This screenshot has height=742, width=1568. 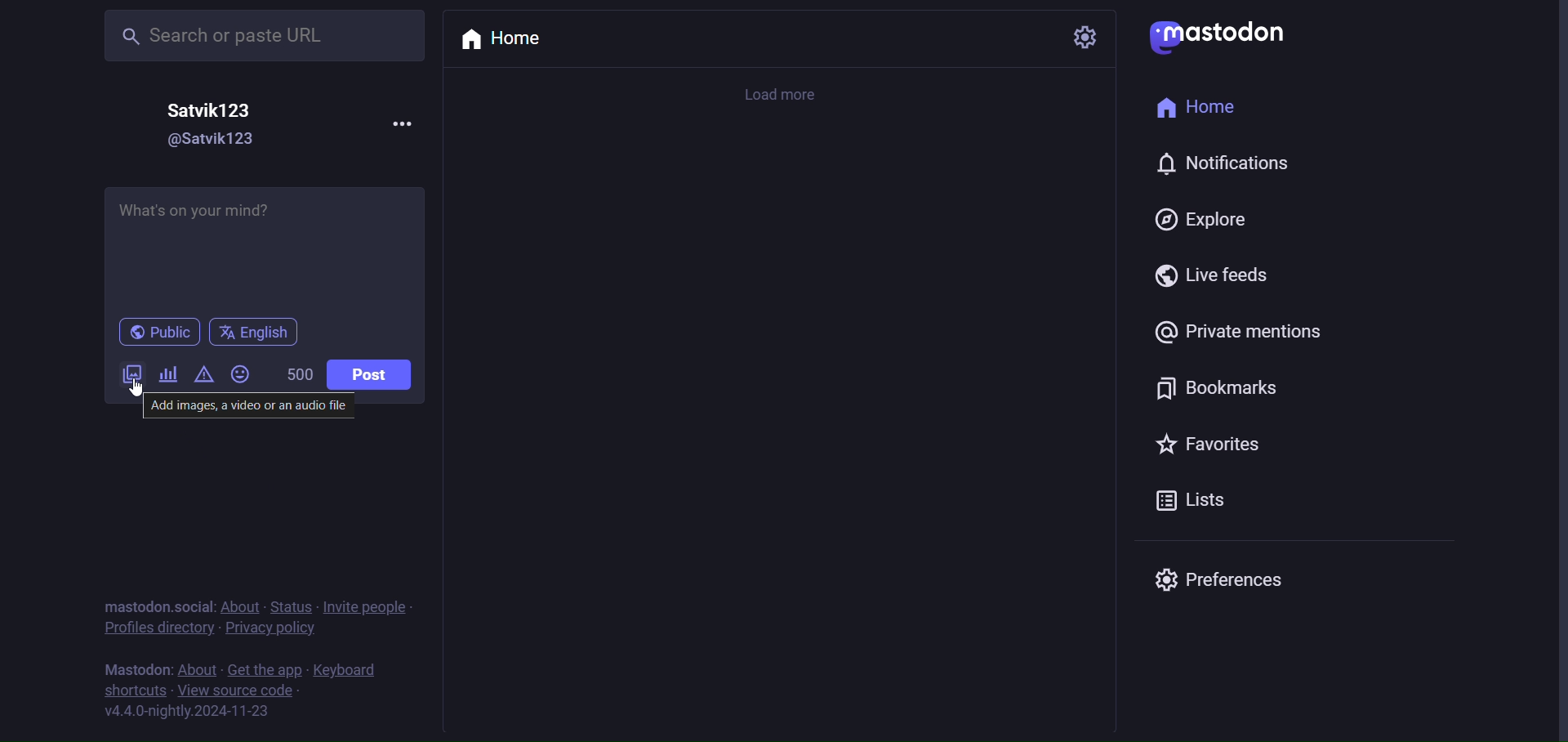 What do you see at coordinates (344, 670) in the screenshot?
I see `keyboard` at bounding box center [344, 670].